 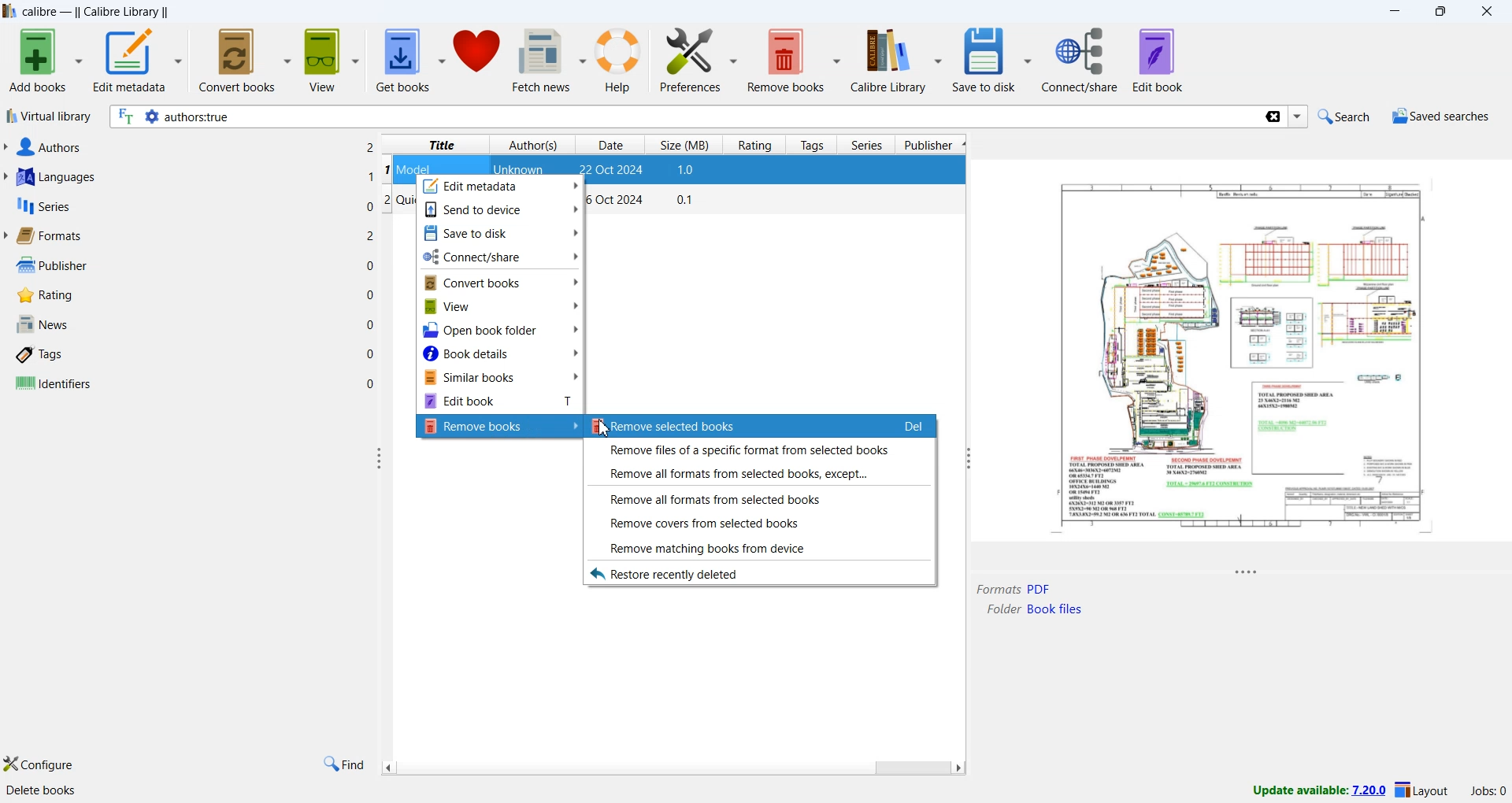 What do you see at coordinates (1242, 368) in the screenshot?
I see `Book Detail Window` at bounding box center [1242, 368].